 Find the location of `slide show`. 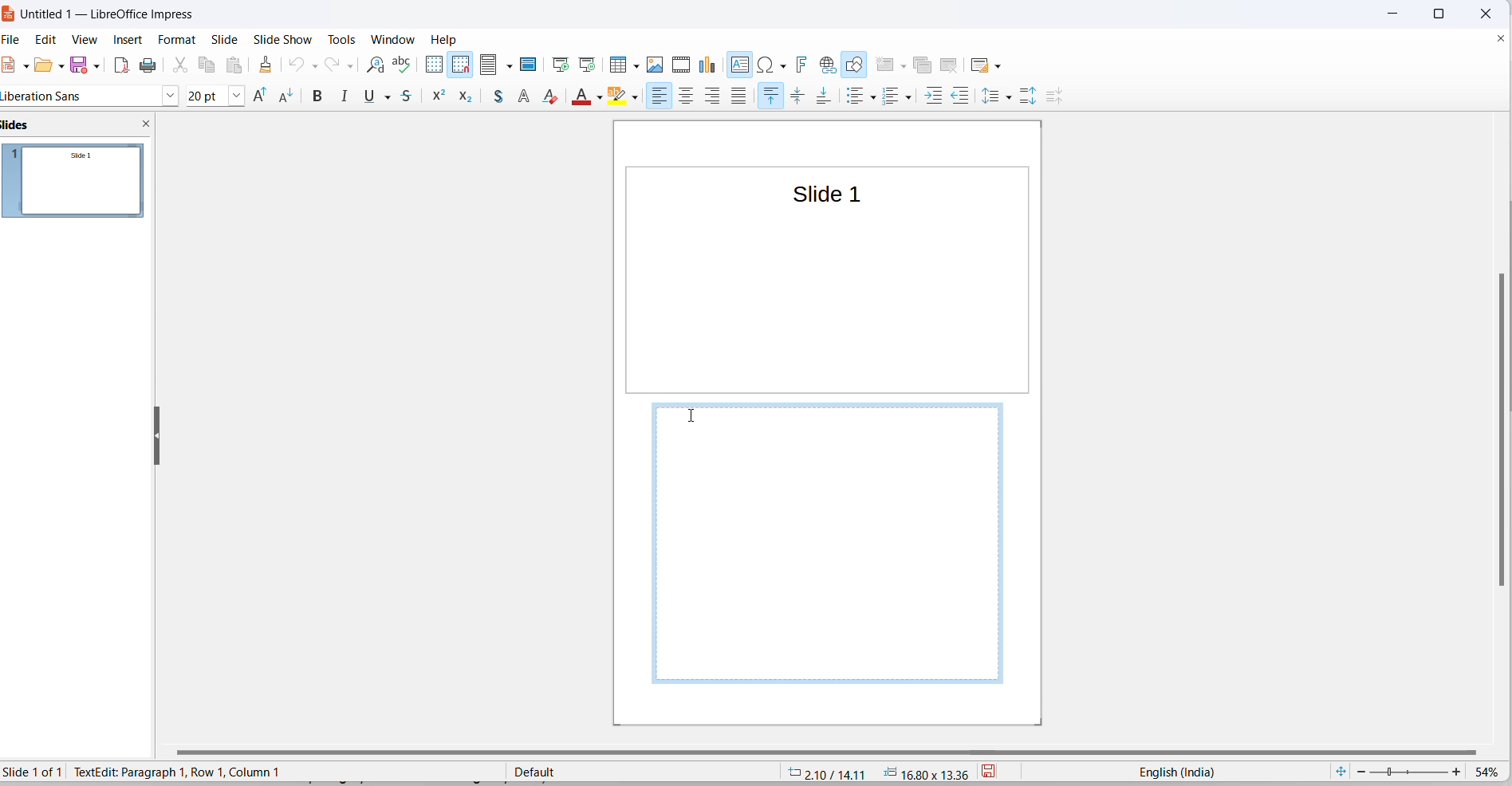

slide show is located at coordinates (283, 40).